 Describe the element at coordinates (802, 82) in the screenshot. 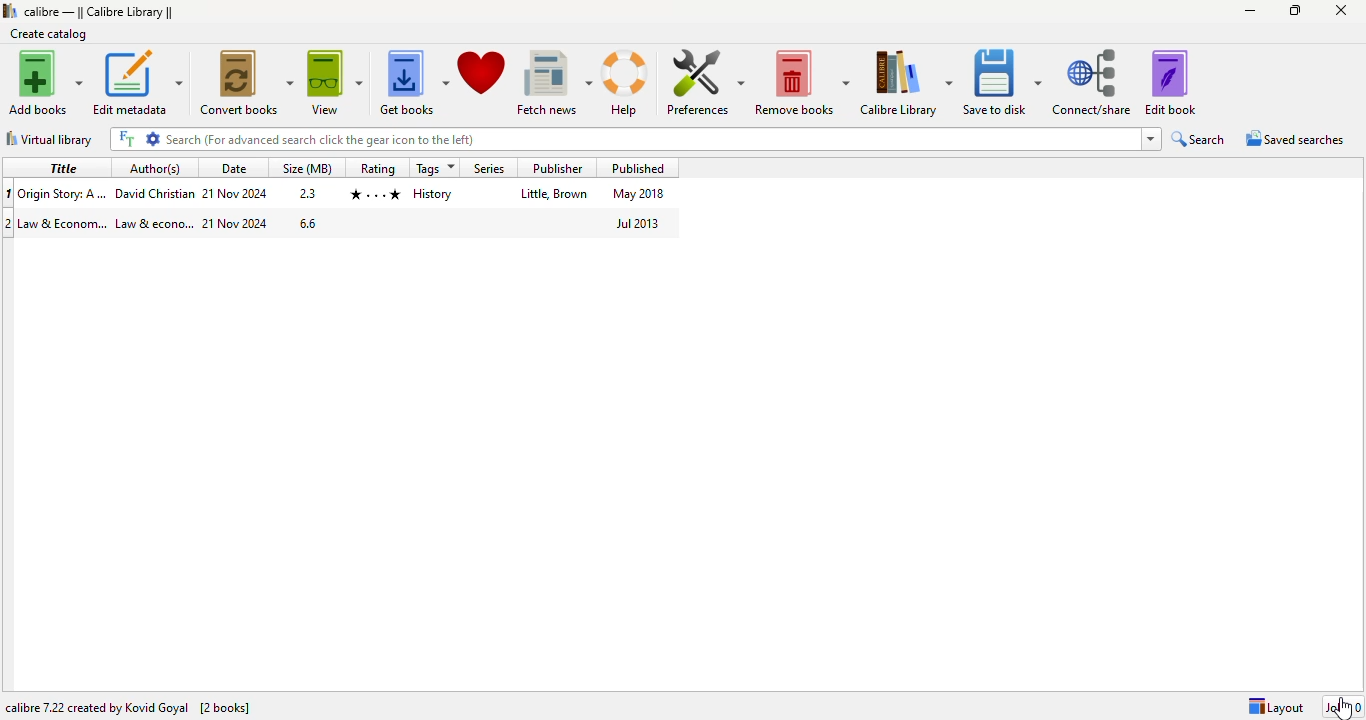

I see `remove books` at that location.